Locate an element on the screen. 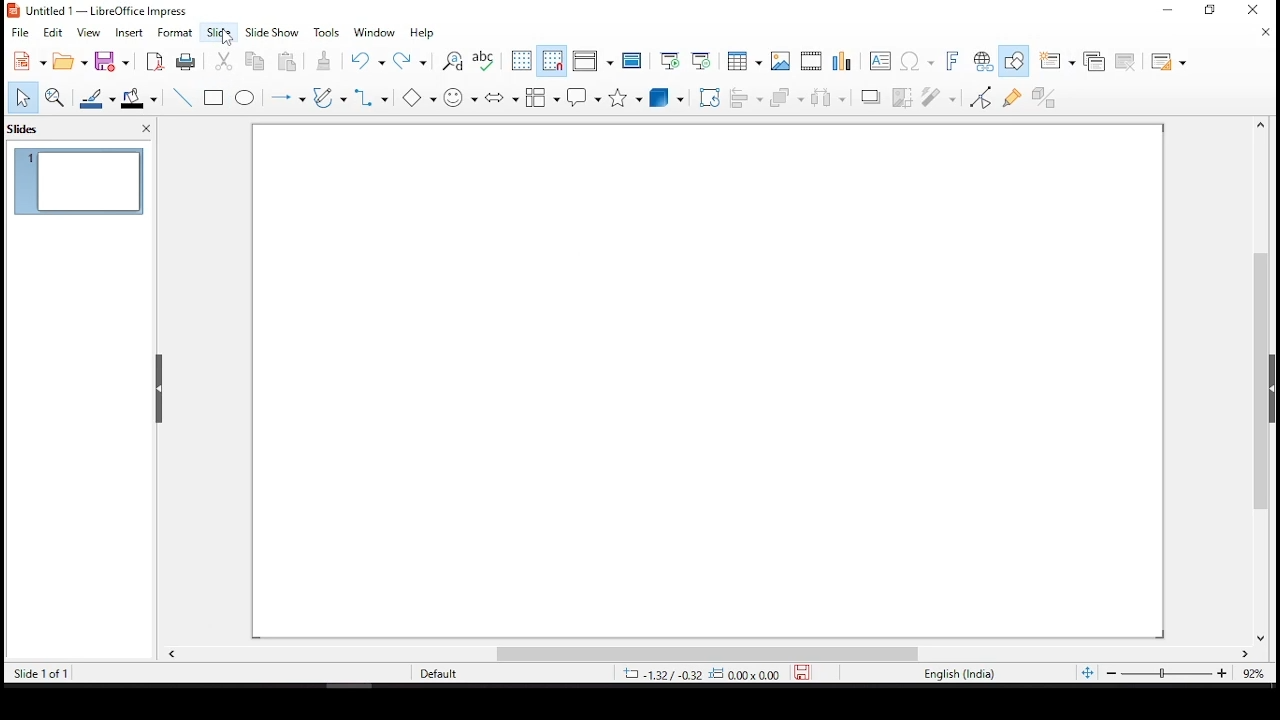 This screenshot has height=720, width=1280. flowchart is located at coordinates (544, 95).